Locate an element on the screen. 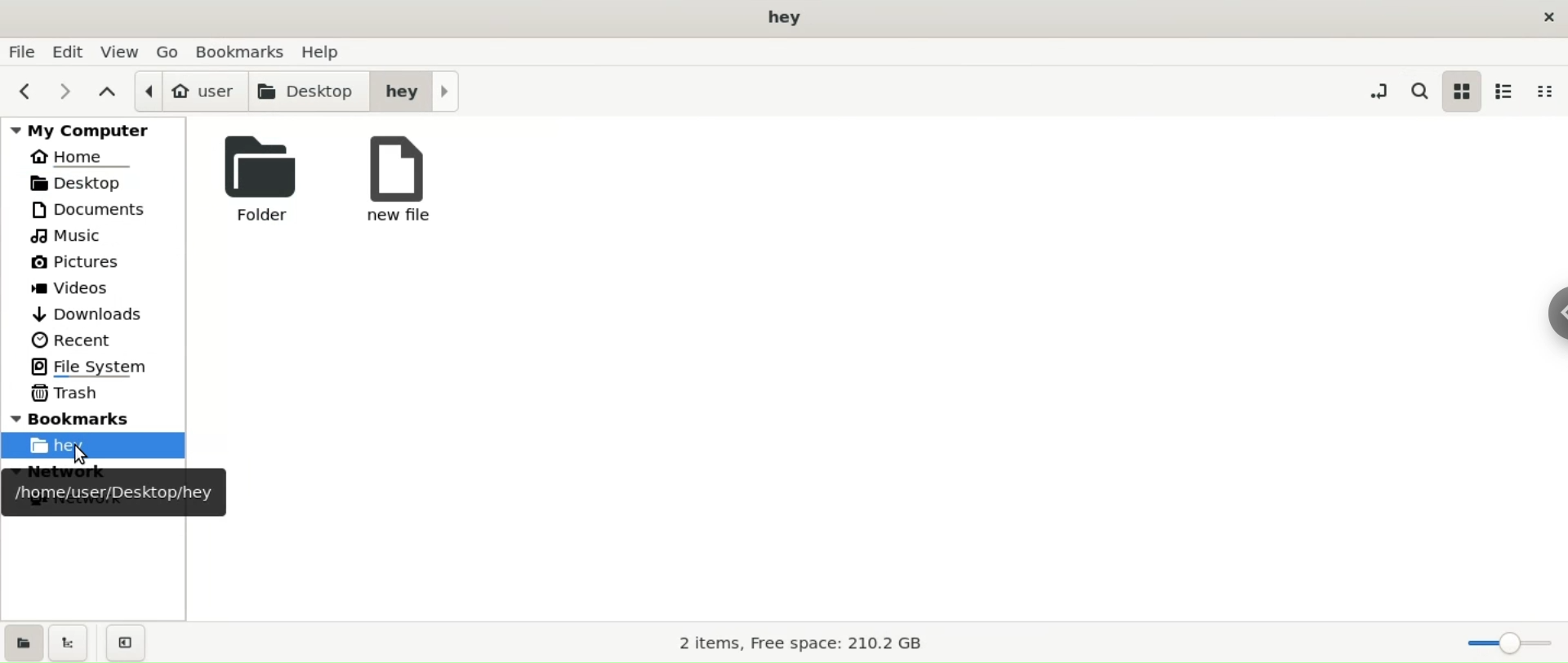  toggle location entry is located at coordinates (1379, 89).